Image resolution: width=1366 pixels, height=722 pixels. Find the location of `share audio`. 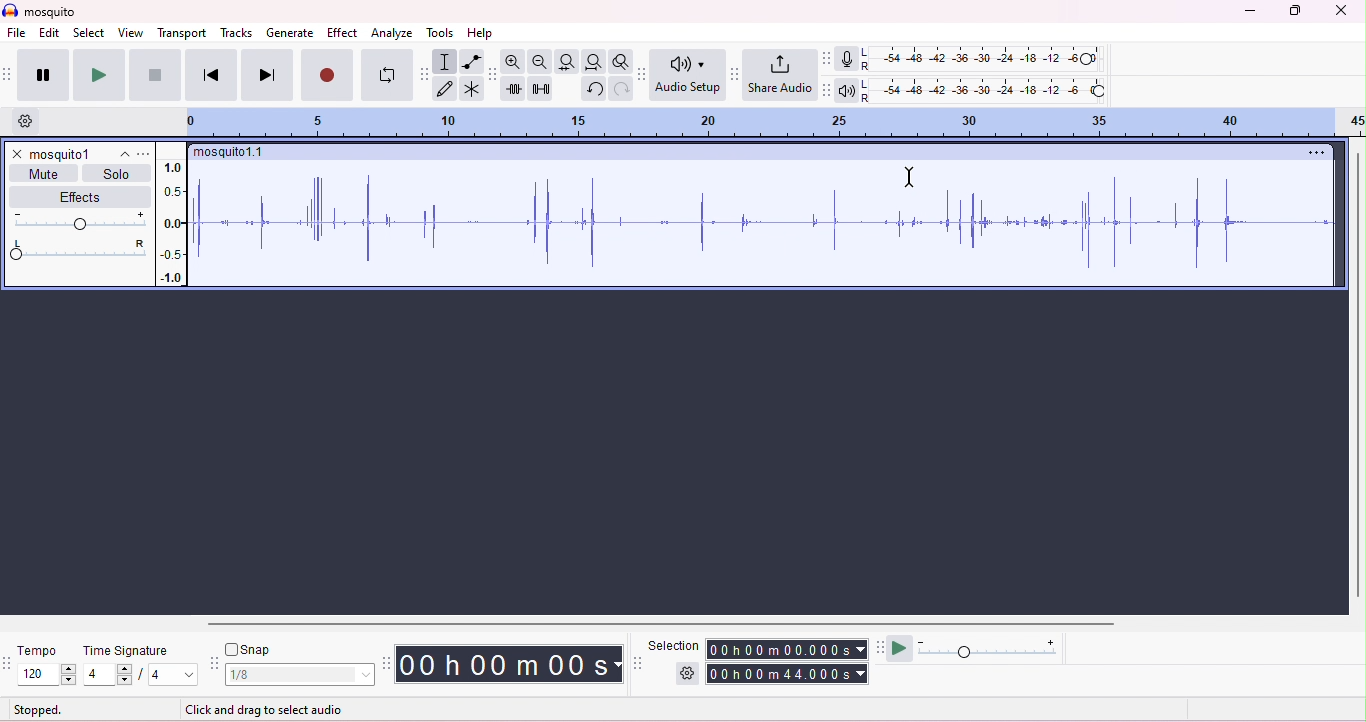

share audio is located at coordinates (779, 73).